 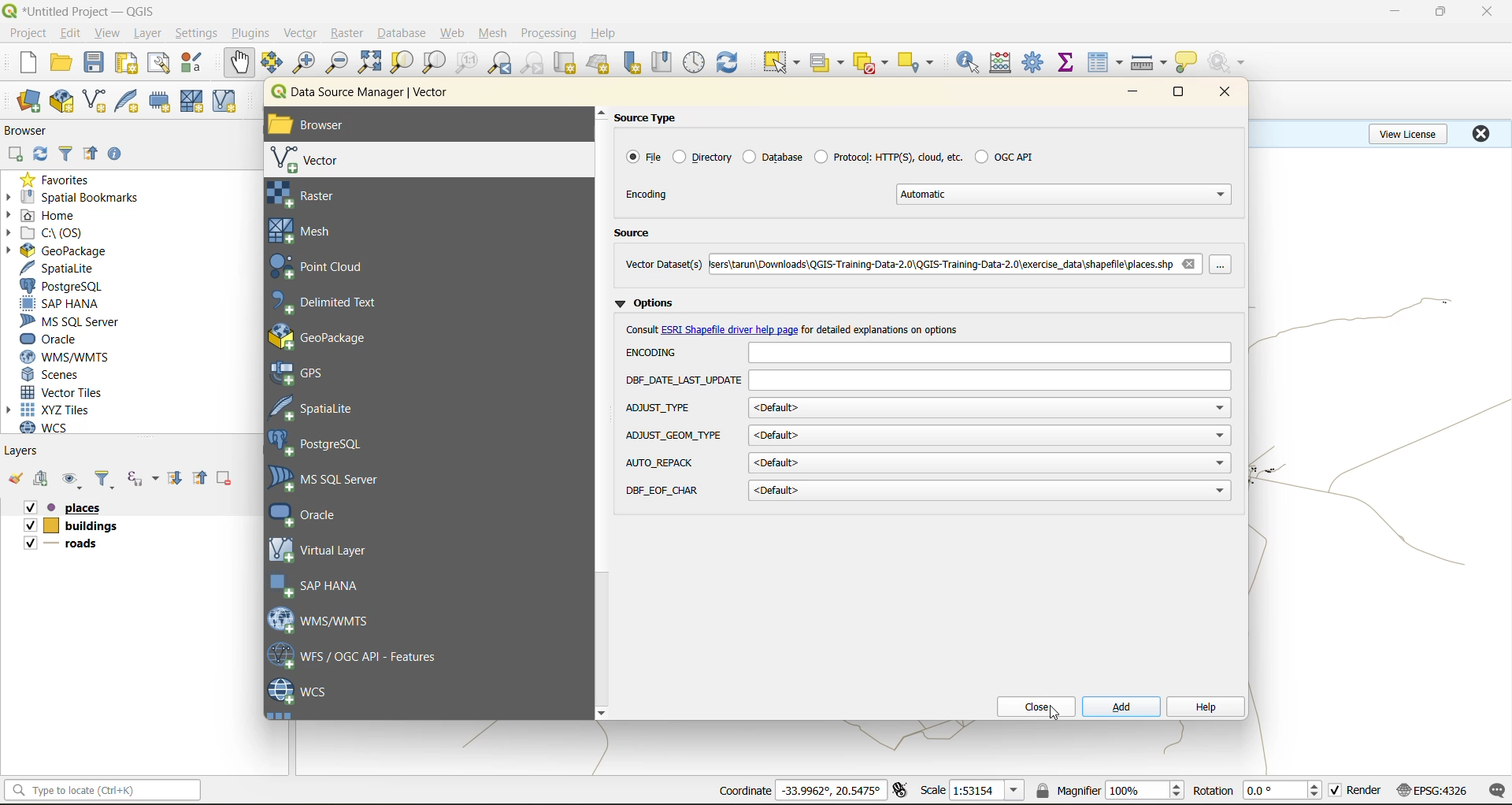 I want to click on oracle, so click(x=317, y=514).